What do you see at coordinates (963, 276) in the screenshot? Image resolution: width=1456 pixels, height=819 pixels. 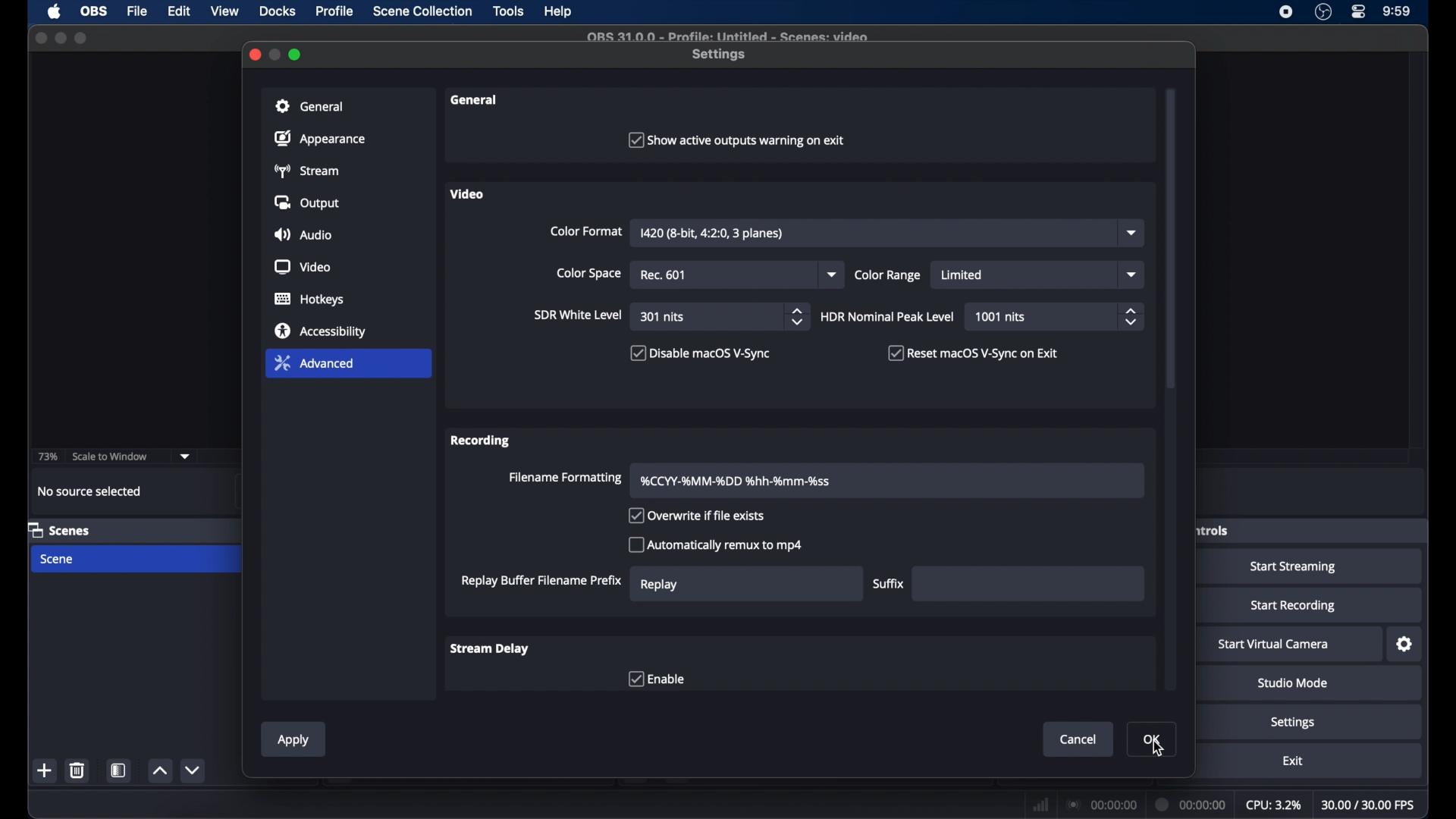 I see `limited` at bounding box center [963, 276].